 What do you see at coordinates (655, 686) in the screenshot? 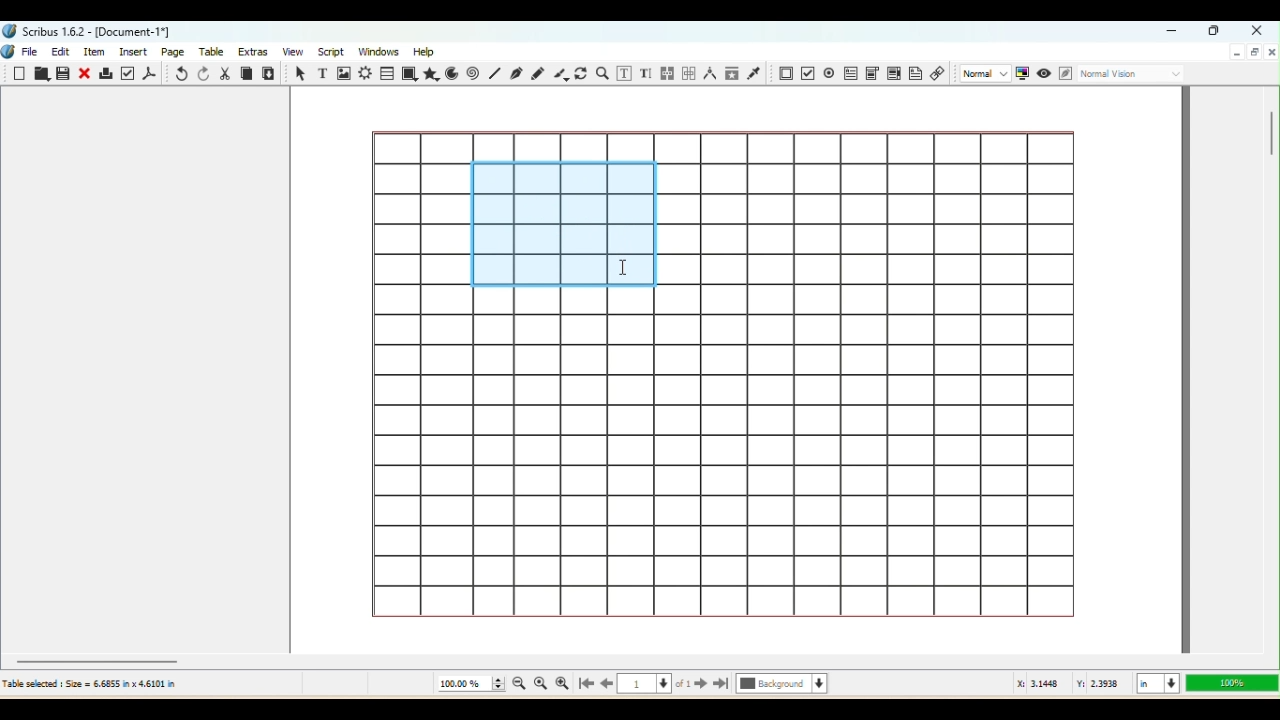
I see `Select the current page` at bounding box center [655, 686].